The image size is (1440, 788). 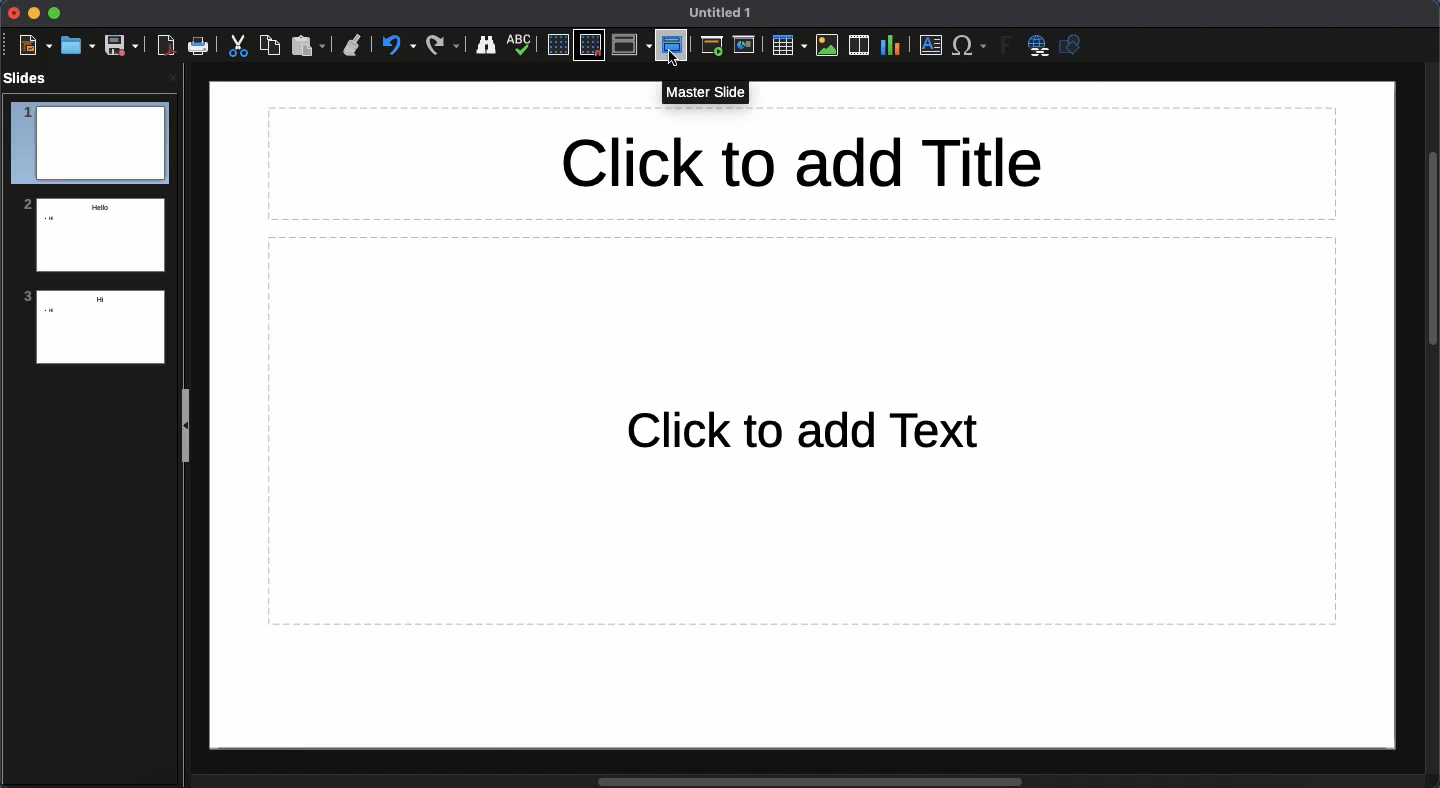 I want to click on Hyperlink, so click(x=1038, y=46).